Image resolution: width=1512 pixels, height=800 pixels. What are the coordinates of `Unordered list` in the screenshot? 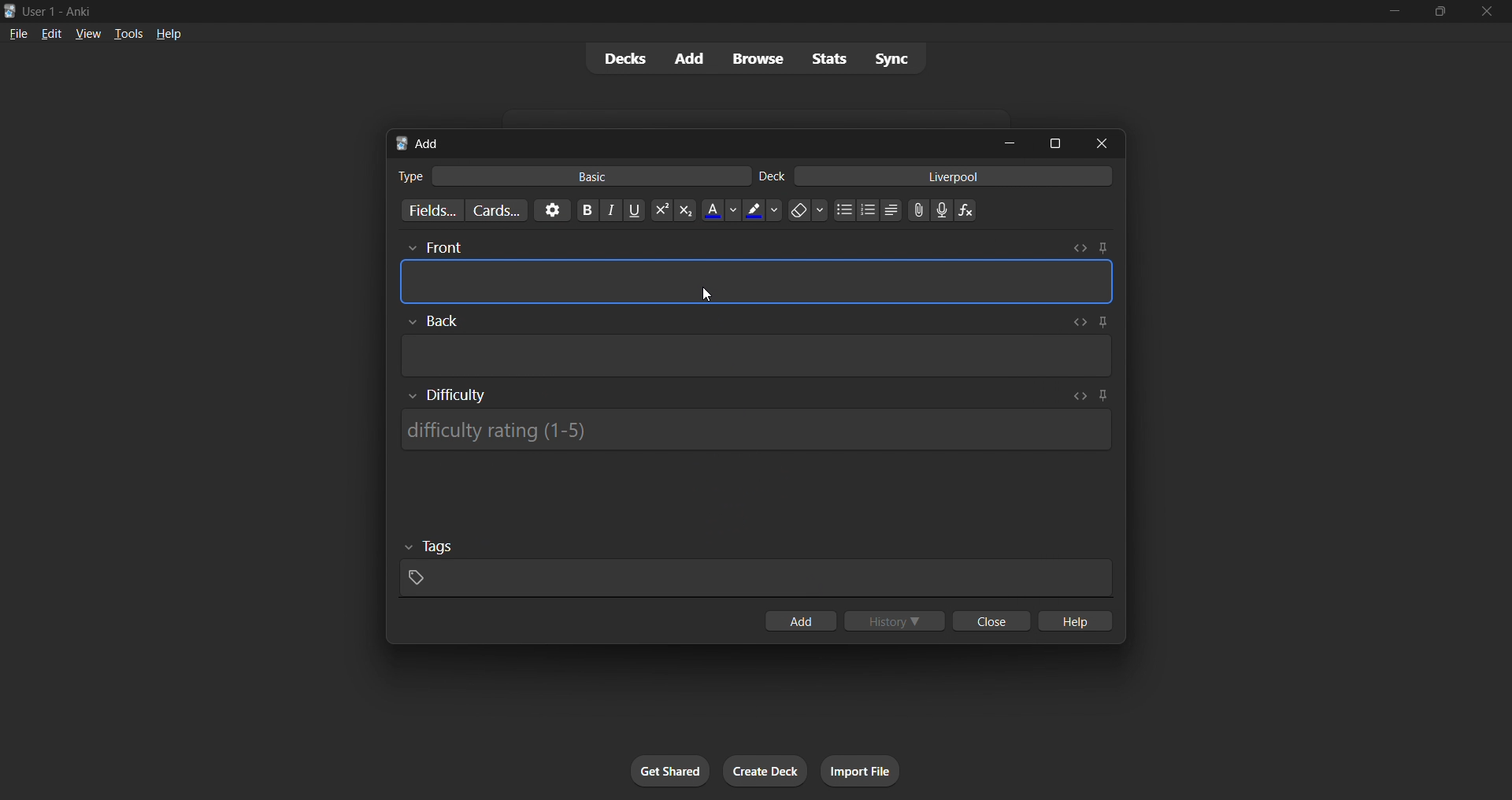 It's located at (845, 209).